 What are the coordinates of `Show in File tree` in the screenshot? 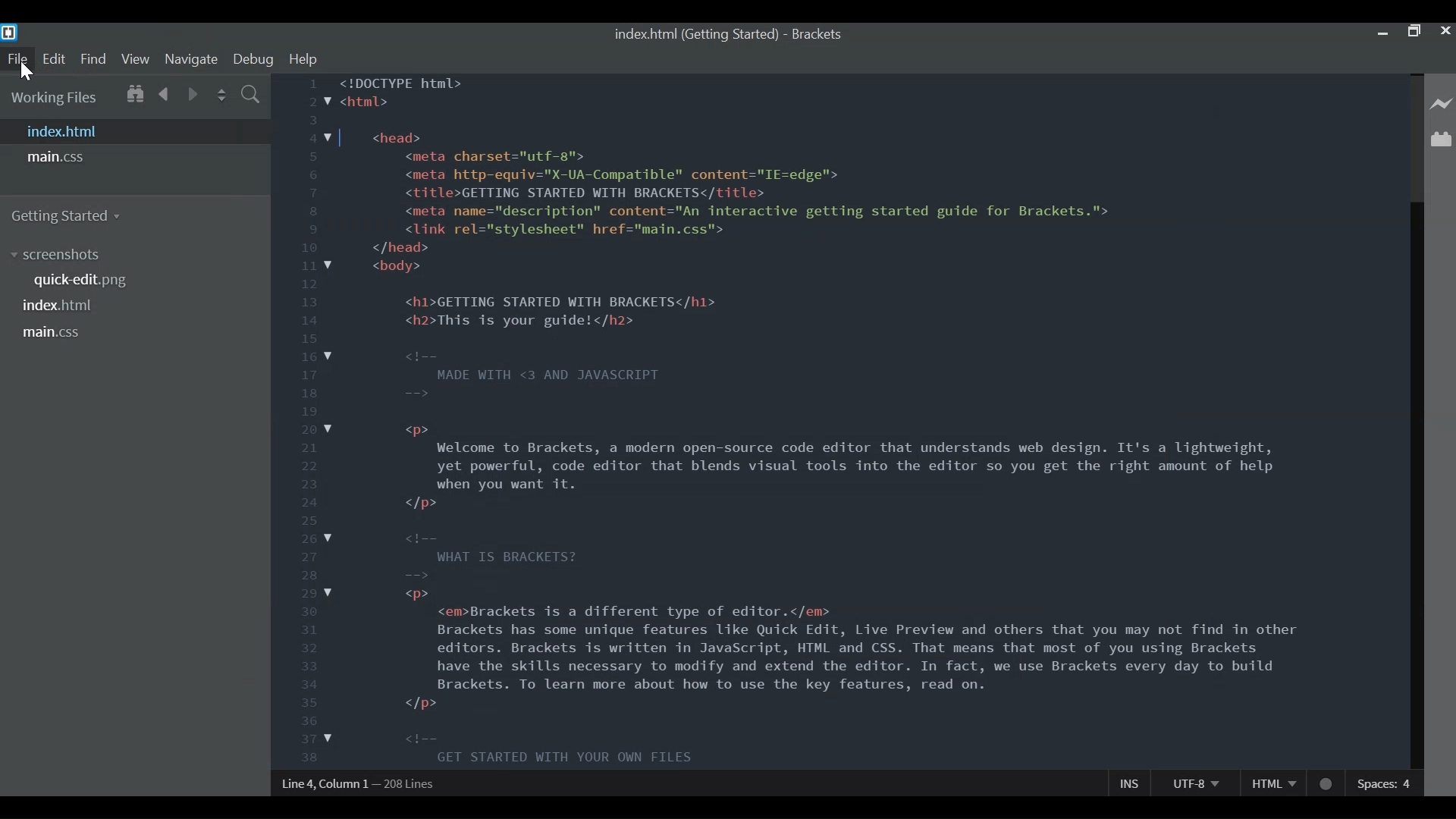 It's located at (134, 93).